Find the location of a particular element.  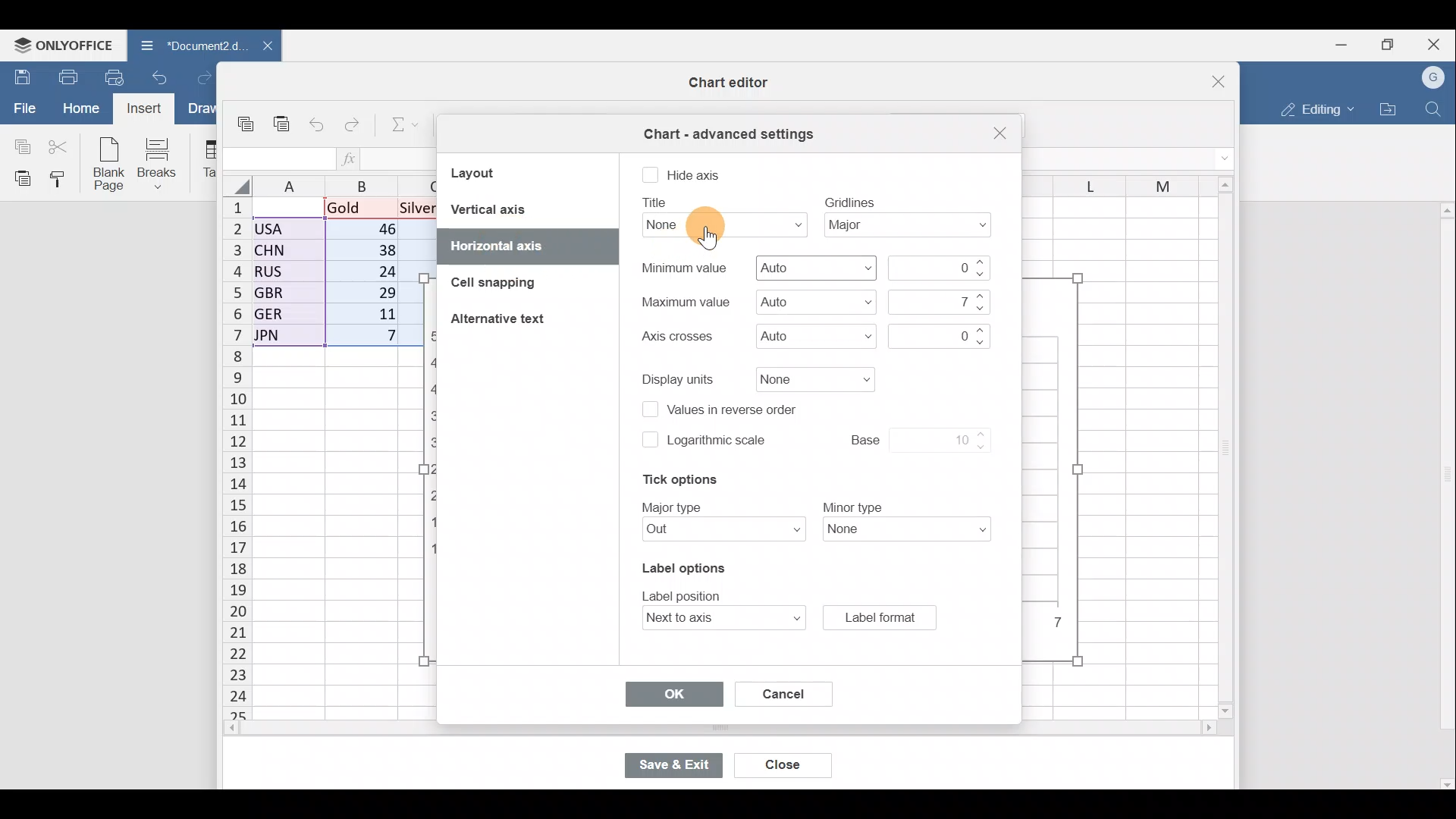

Axis crosses value is located at coordinates (936, 334).